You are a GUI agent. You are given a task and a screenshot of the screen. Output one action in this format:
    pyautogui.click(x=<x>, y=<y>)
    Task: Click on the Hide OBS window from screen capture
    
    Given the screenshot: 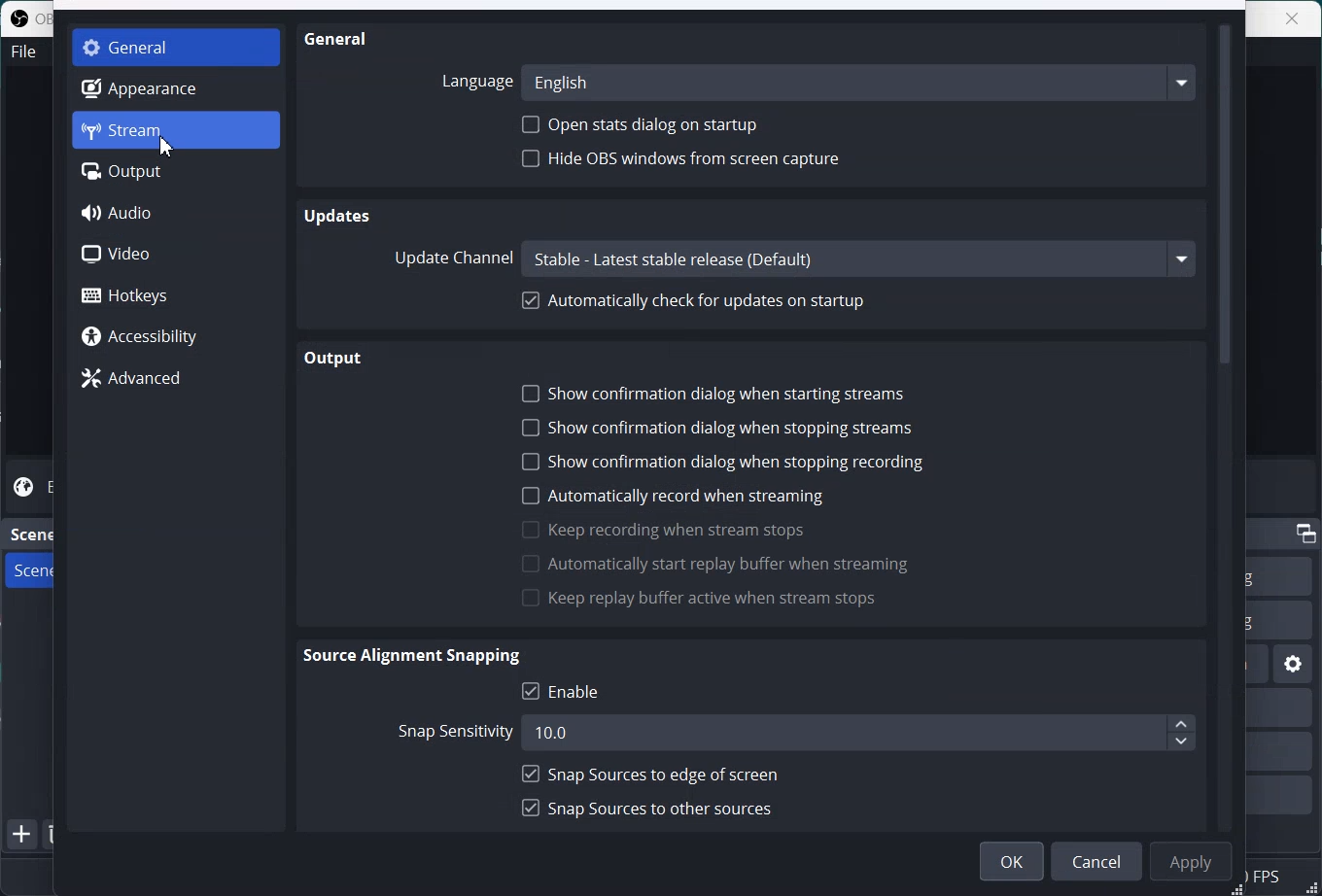 What is the action you would take?
    pyautogui.click(x=679, y=159)
    